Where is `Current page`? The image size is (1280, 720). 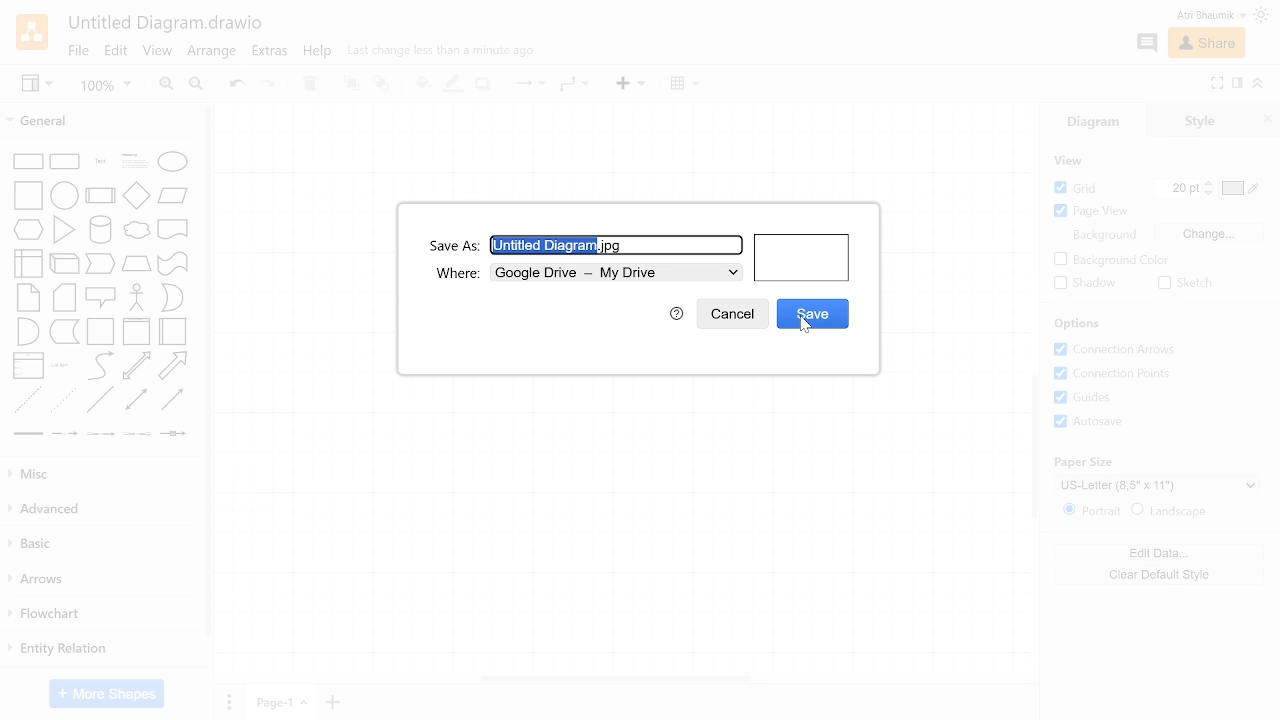
Current page is located at coordinates (278, 701).